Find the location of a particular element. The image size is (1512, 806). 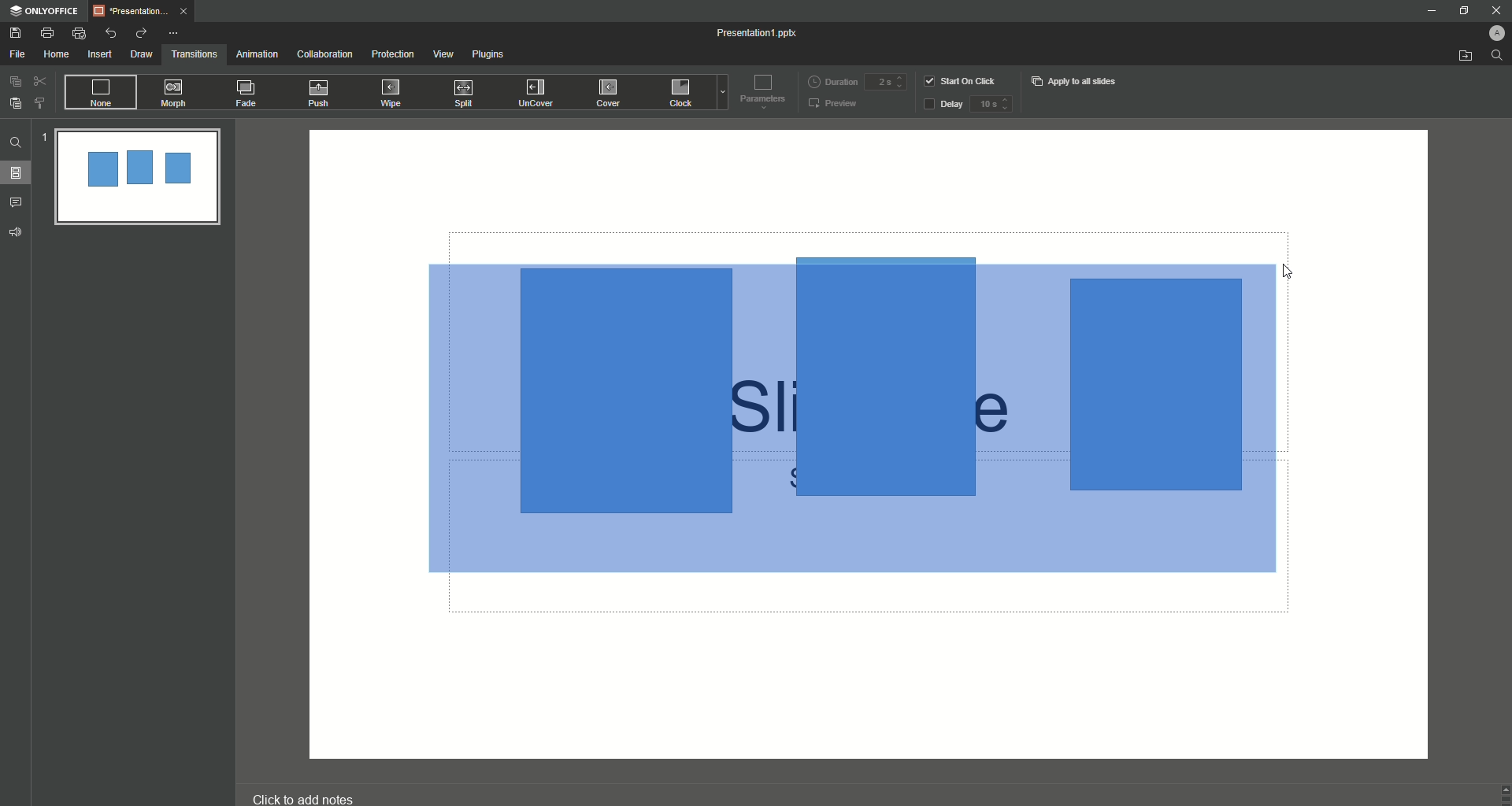

Apply to all slides is located at coordinates (1076, 81).